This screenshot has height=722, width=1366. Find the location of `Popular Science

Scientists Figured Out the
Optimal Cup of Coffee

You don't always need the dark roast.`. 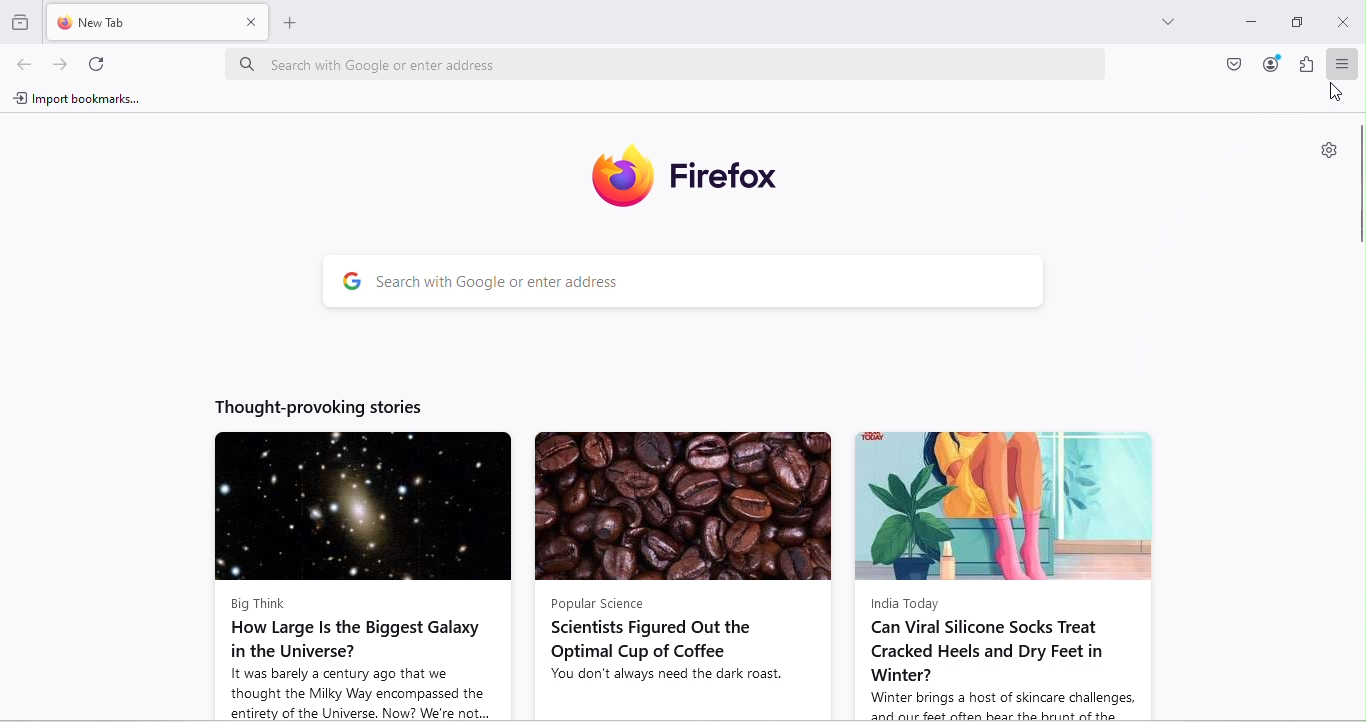

Popular Science

Scientists Figured Out the
Optimal Cup of Coffee

You don't always need the dark roast. is located at coordinates (670, 649).